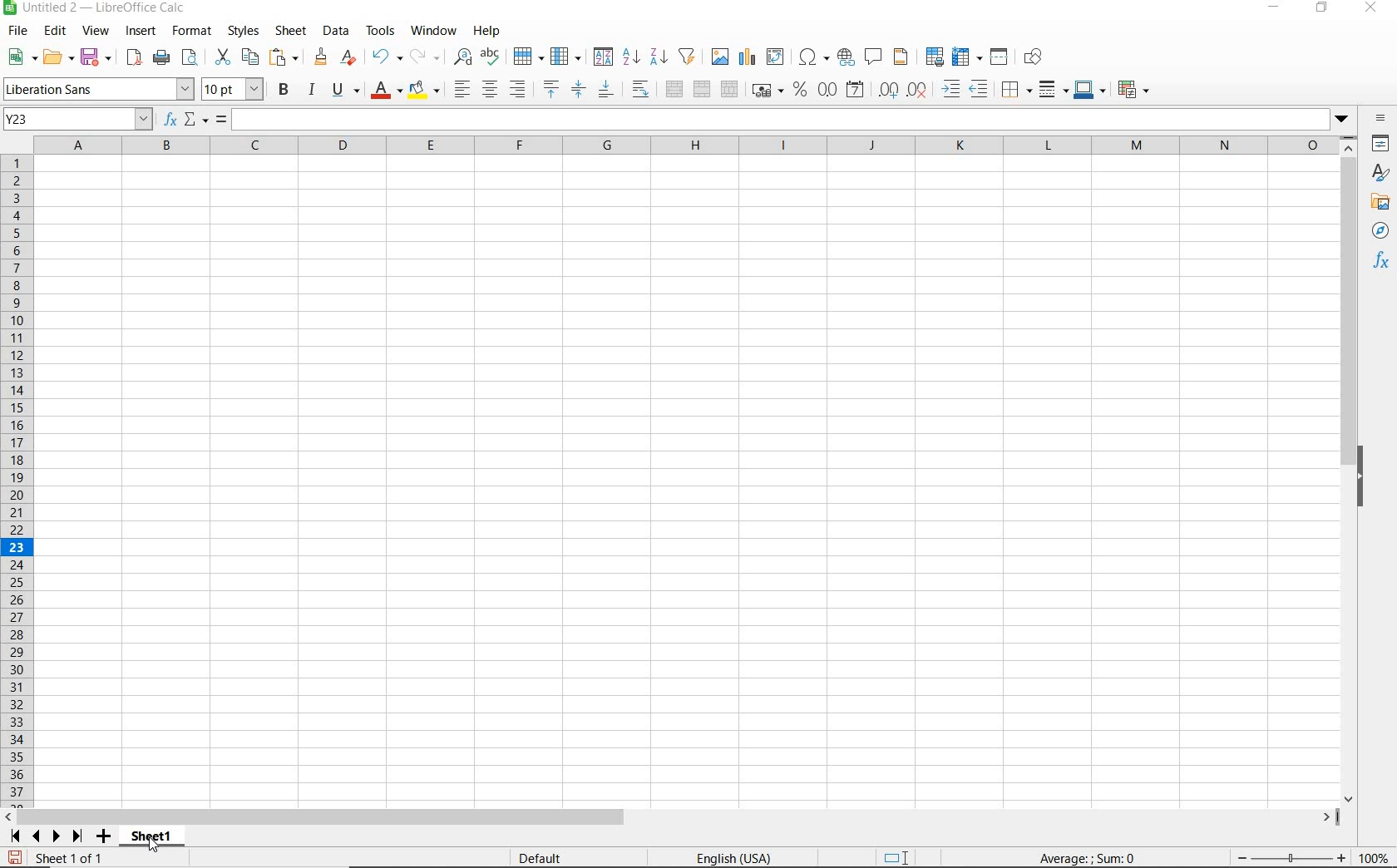  Describe the element at coordinates (1088, 859) in the screenshot. I see `FORMULA` at that location.